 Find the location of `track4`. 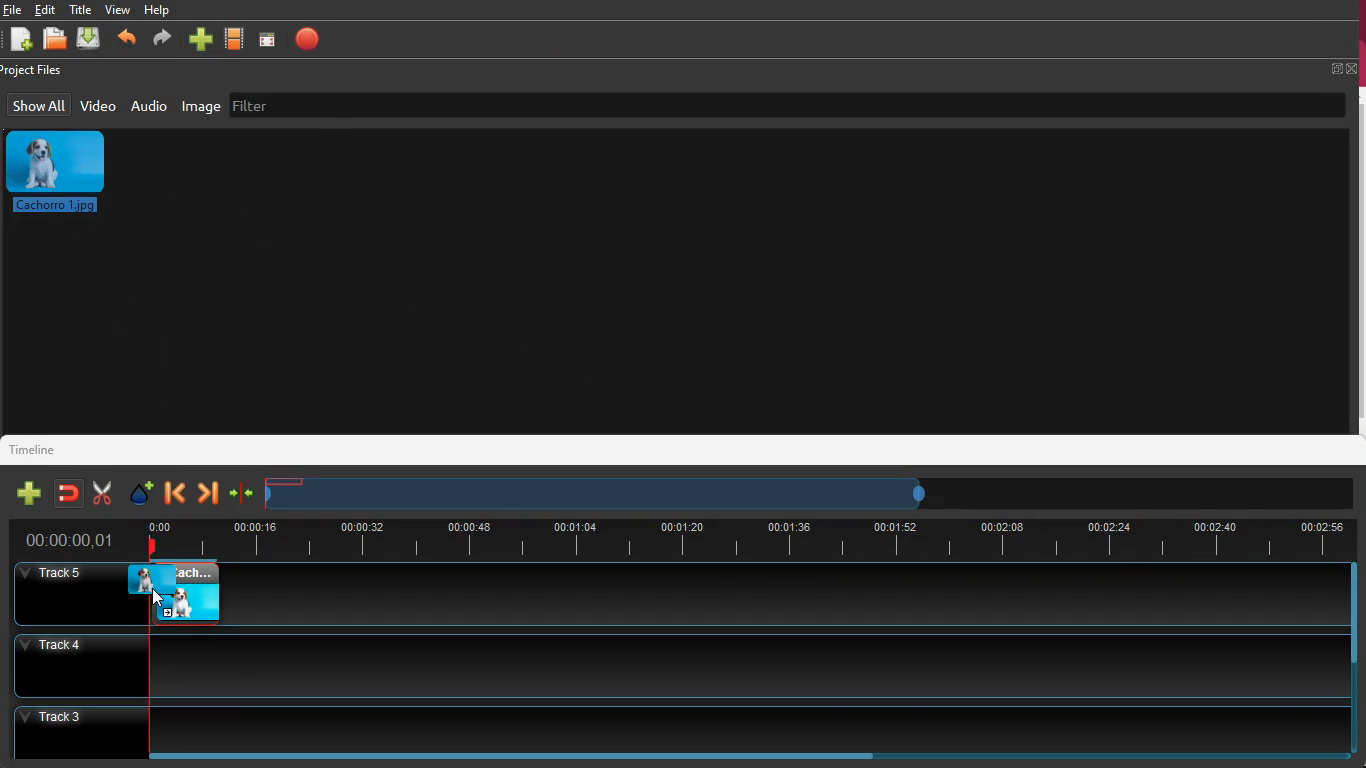

track4 is located at coordinates (666, 663).